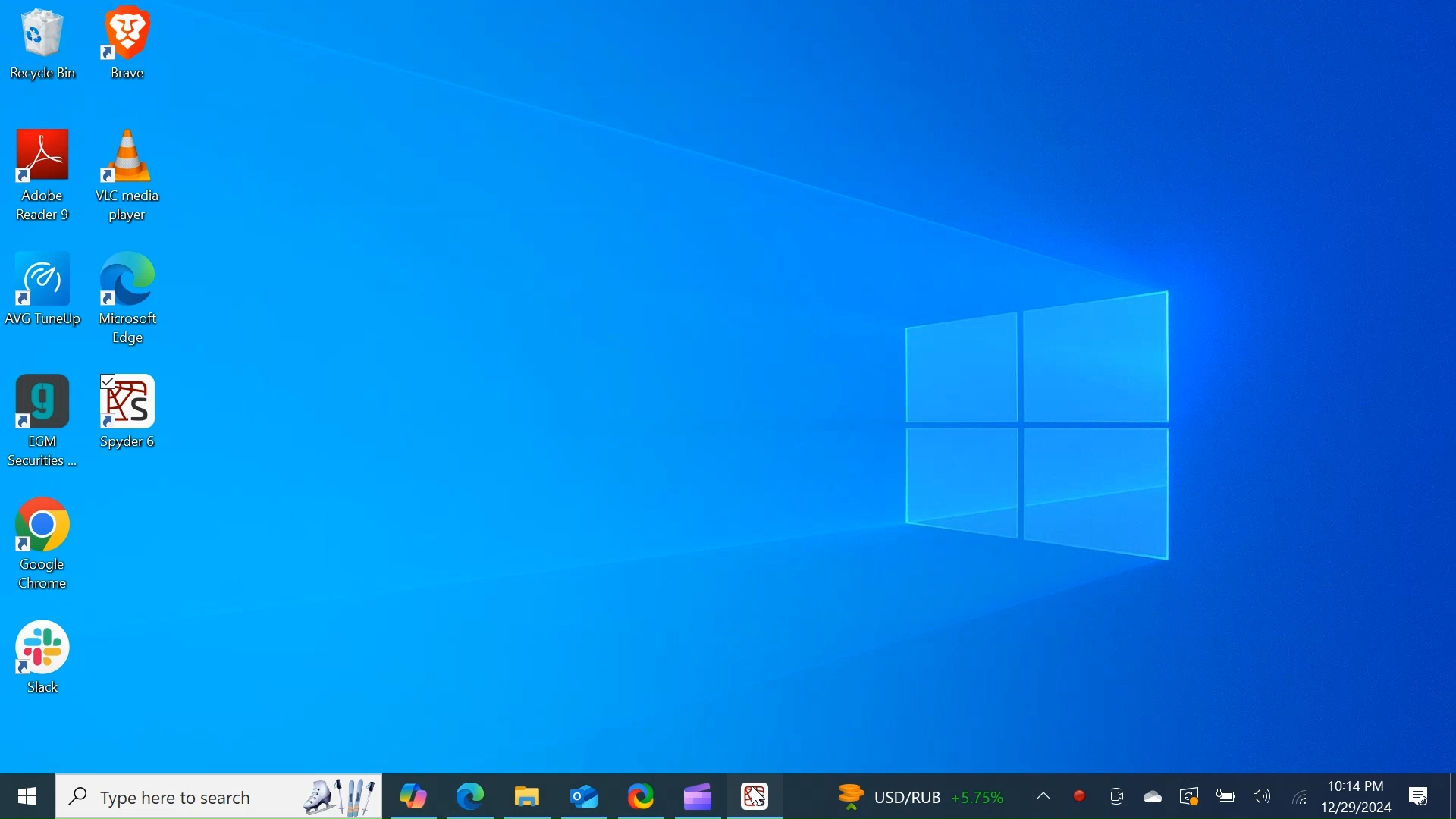  What do you see at coordinates (758, 796) in the screenshot?
I see `Spyder Desktop Icon` at bounding box center [758, 796].